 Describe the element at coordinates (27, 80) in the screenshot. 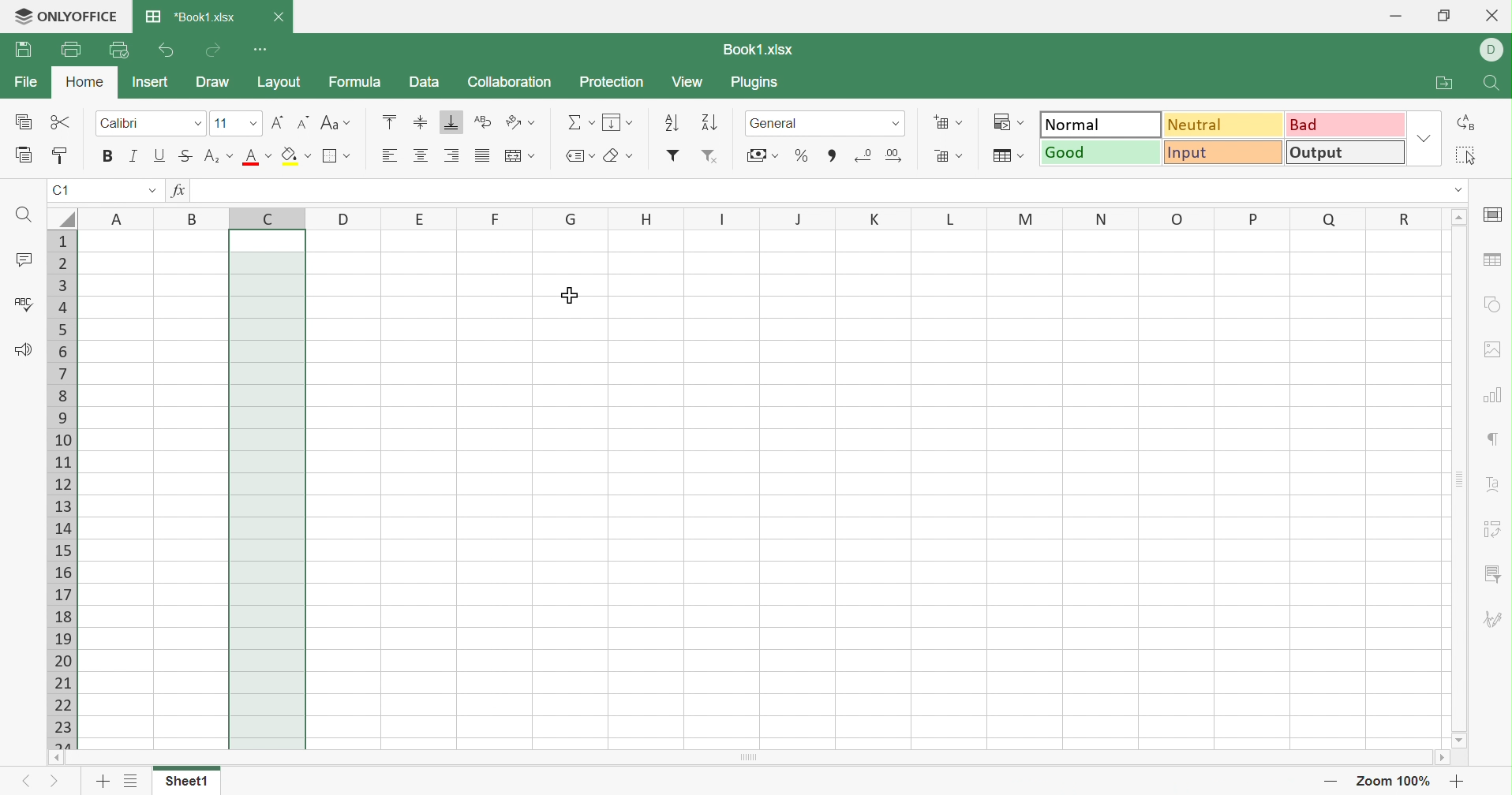

I see `File` at that location.